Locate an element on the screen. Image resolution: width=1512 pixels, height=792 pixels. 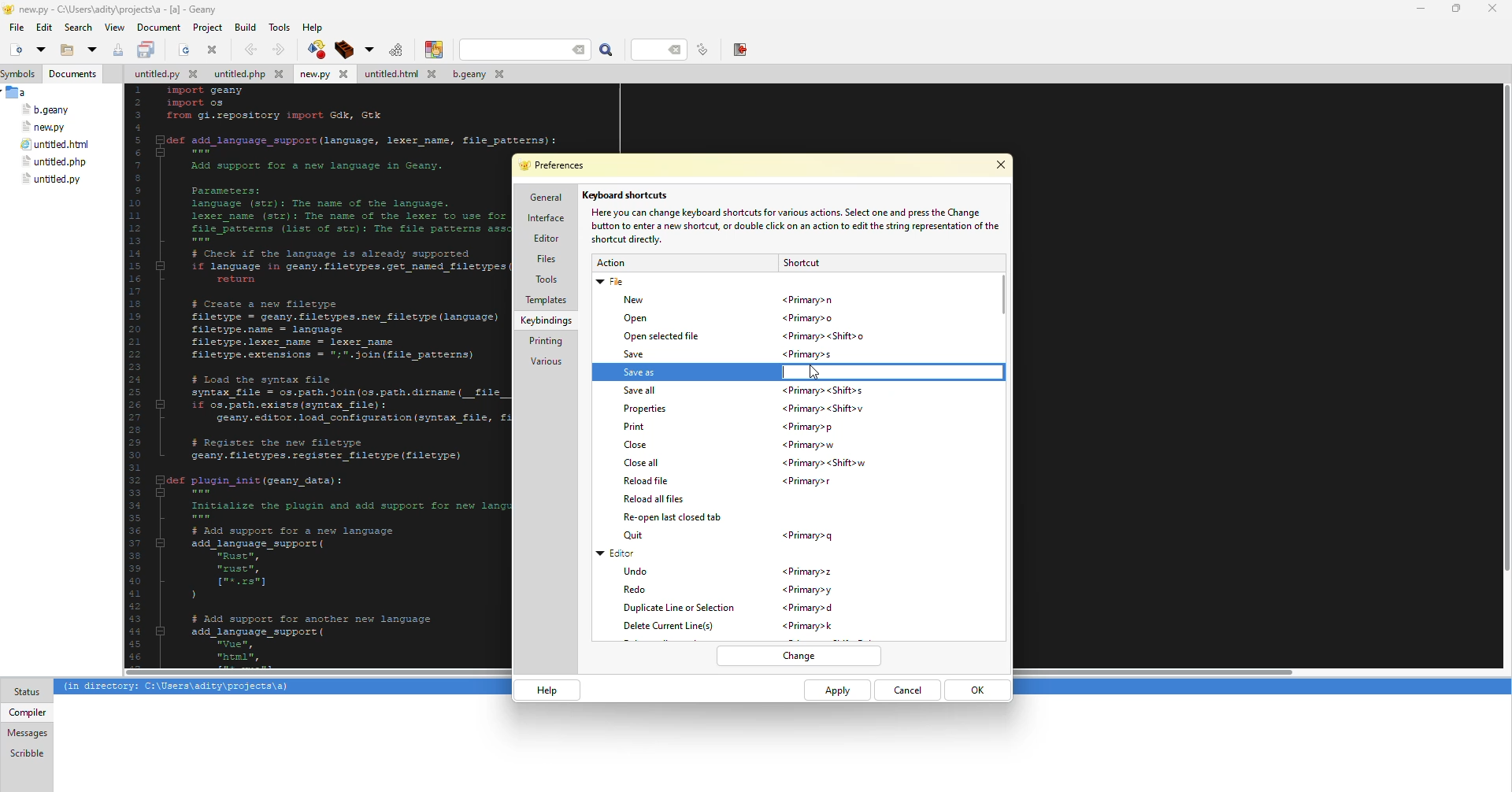
shortcut is located at coordinates (810, 590).